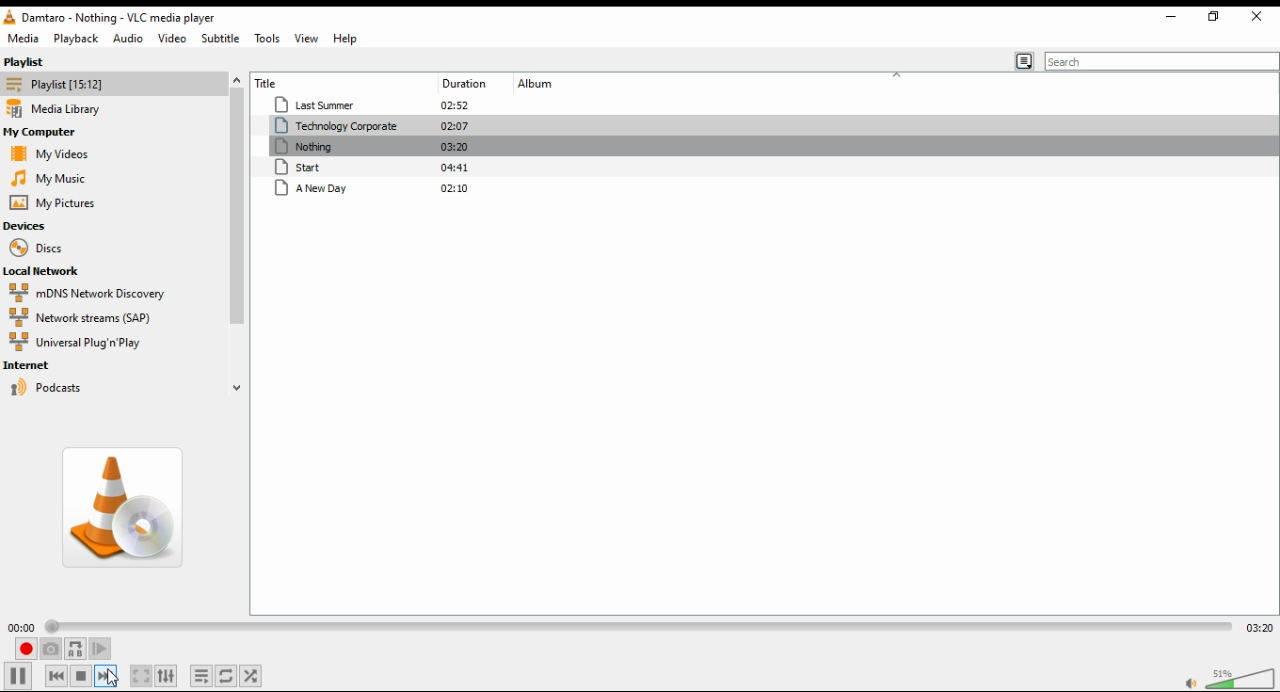 This screenshot has width=1280, height=692. Describe the element at coordinates (371, 189) in the screenshot. I see `A new day` at that location.